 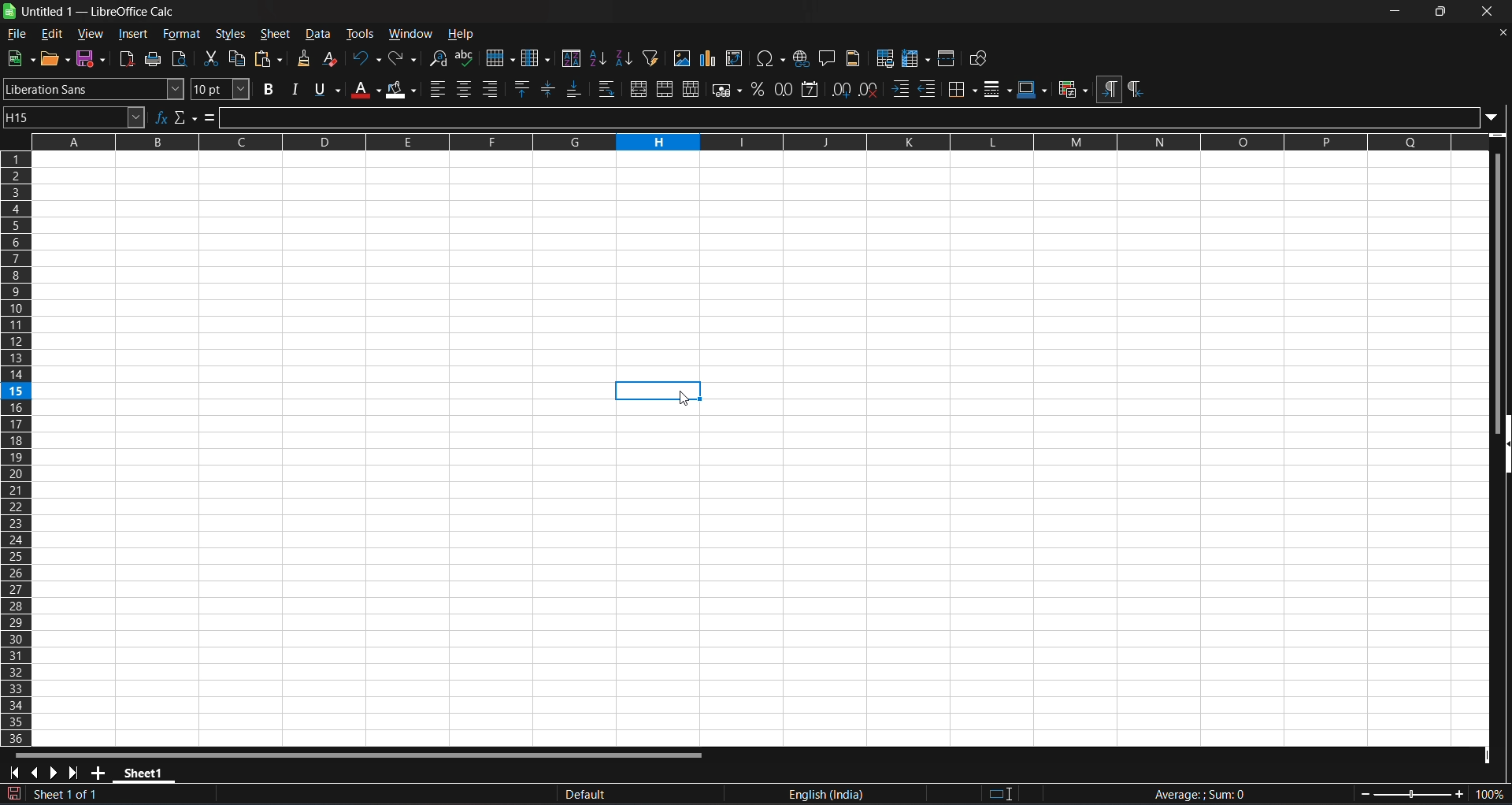 What do you see at coordinates (89, 34) in the screenshot?
I see `view` at bounding box center [89, 34].